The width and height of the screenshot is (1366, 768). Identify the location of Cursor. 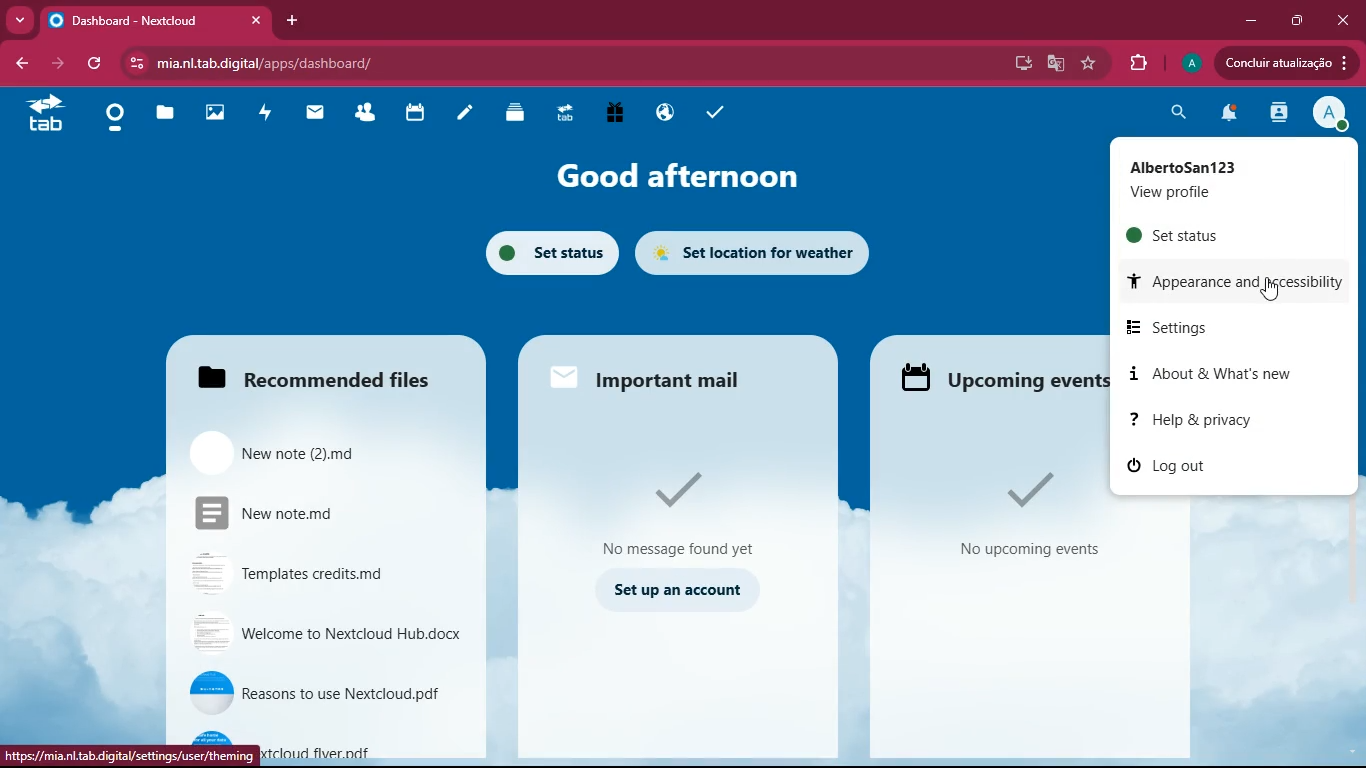
(1268, 292).